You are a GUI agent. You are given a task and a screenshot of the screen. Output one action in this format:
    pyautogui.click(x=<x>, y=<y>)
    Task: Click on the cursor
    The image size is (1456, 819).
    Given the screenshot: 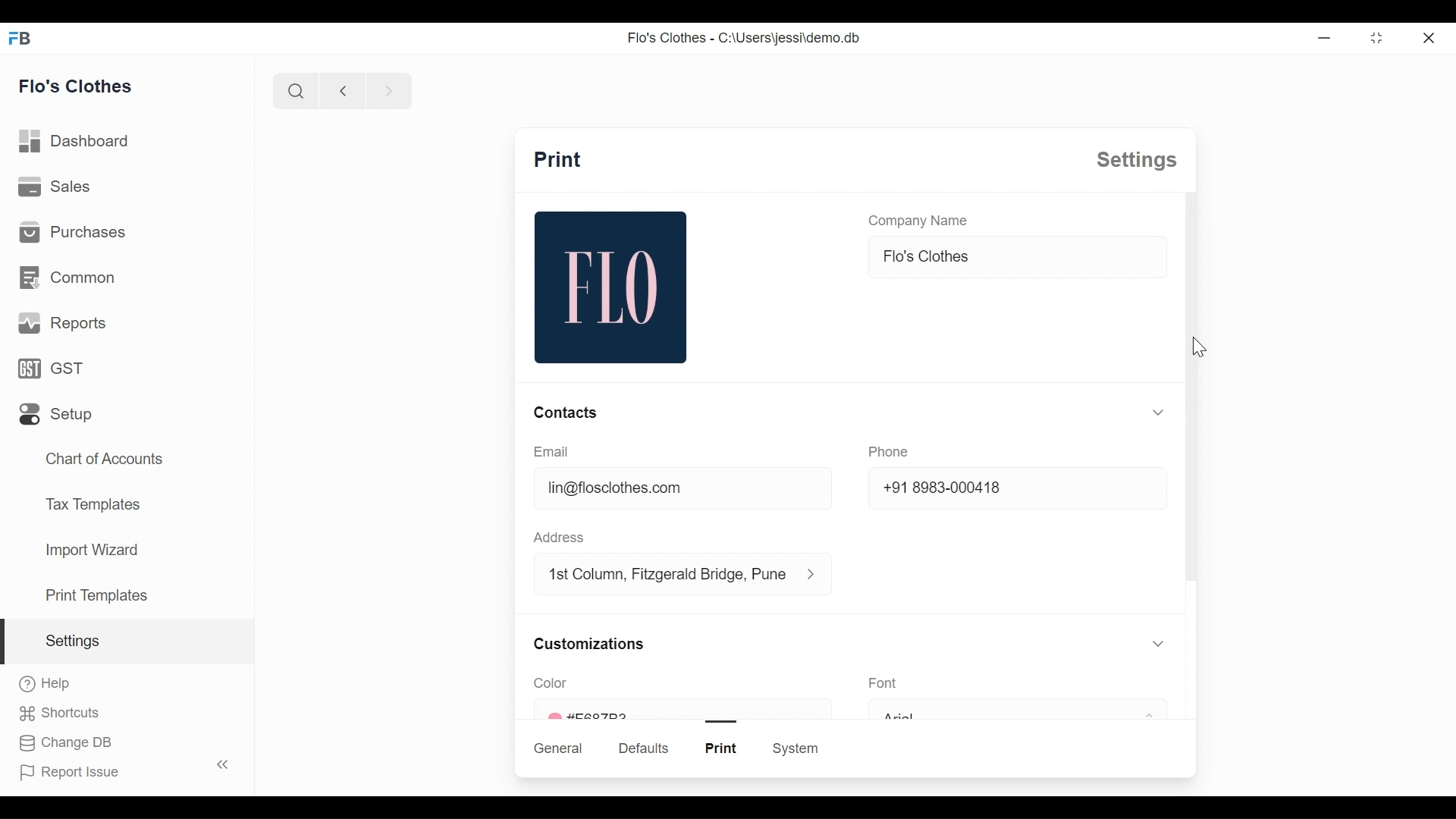 What is the action you would take?
    pyautogui.click(x=1200, y=347)
    